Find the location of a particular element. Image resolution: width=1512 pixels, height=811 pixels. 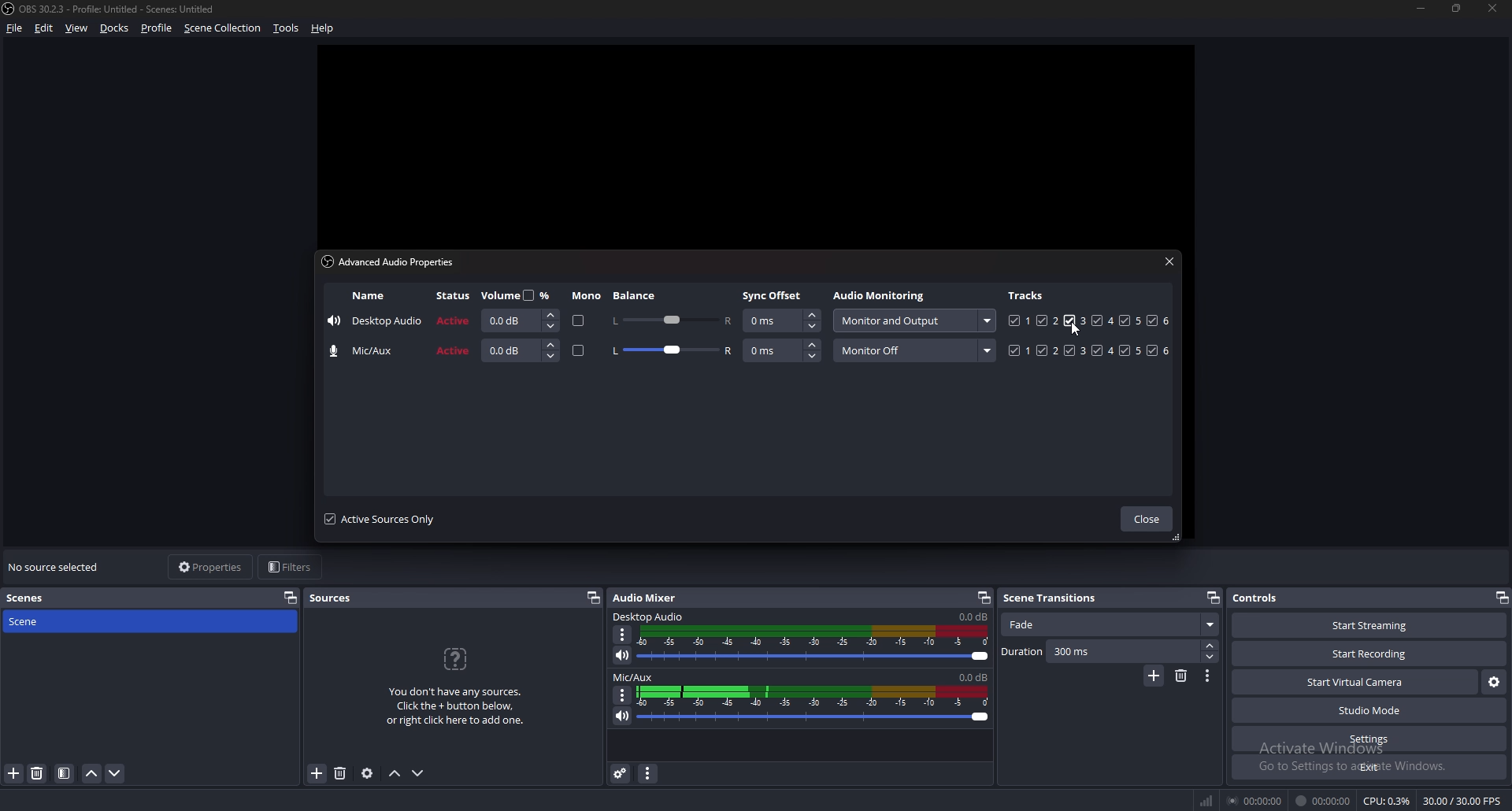

add scene is located at coordinates (1154, 676).